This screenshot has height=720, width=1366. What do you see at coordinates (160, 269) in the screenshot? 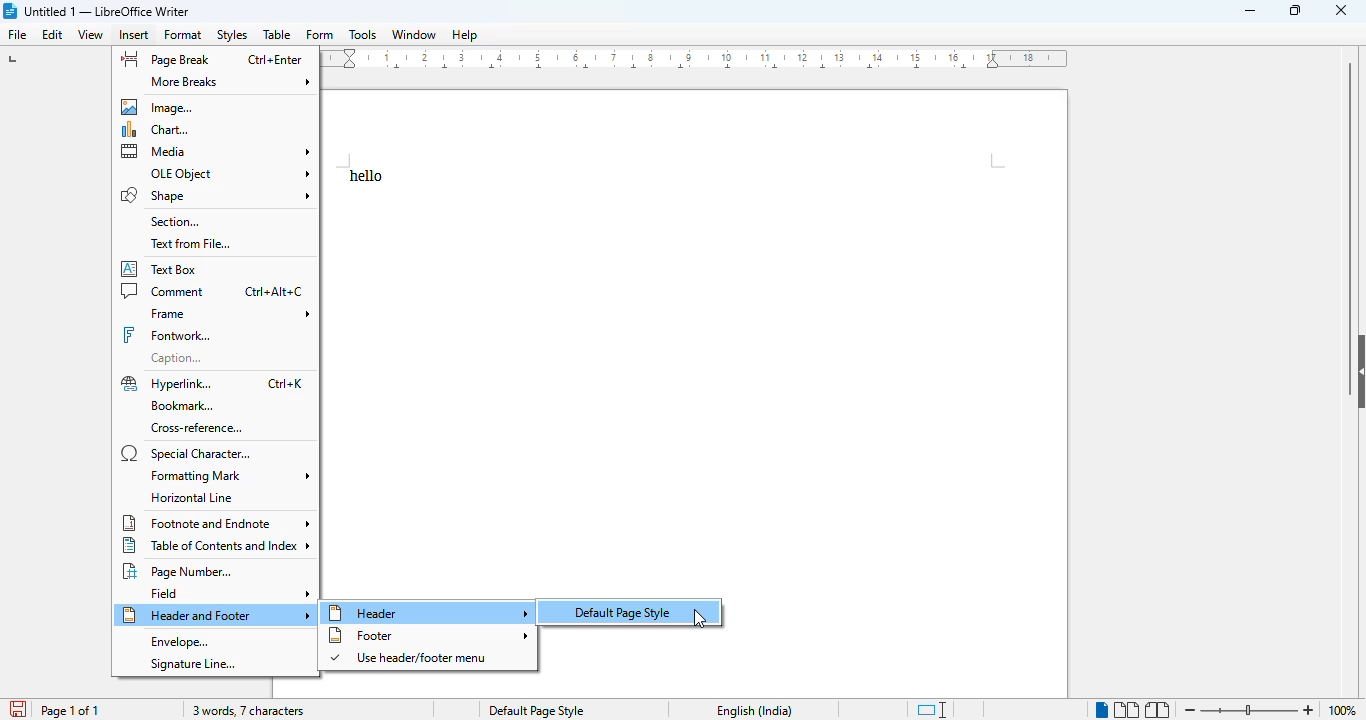
I see `text box` at bounding box center [160, 269].